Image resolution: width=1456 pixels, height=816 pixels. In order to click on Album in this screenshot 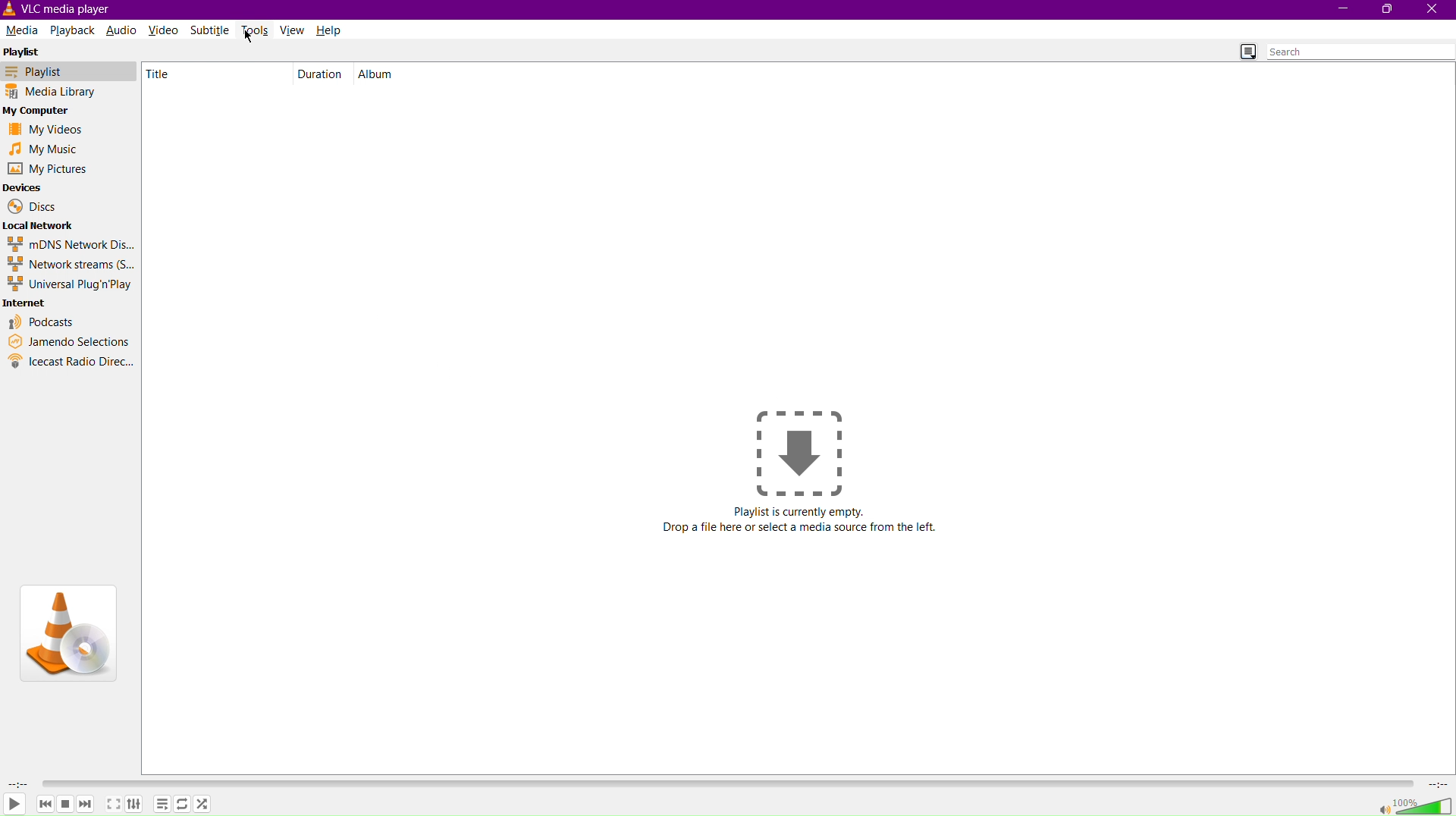, I will do `click(381, 74)`.